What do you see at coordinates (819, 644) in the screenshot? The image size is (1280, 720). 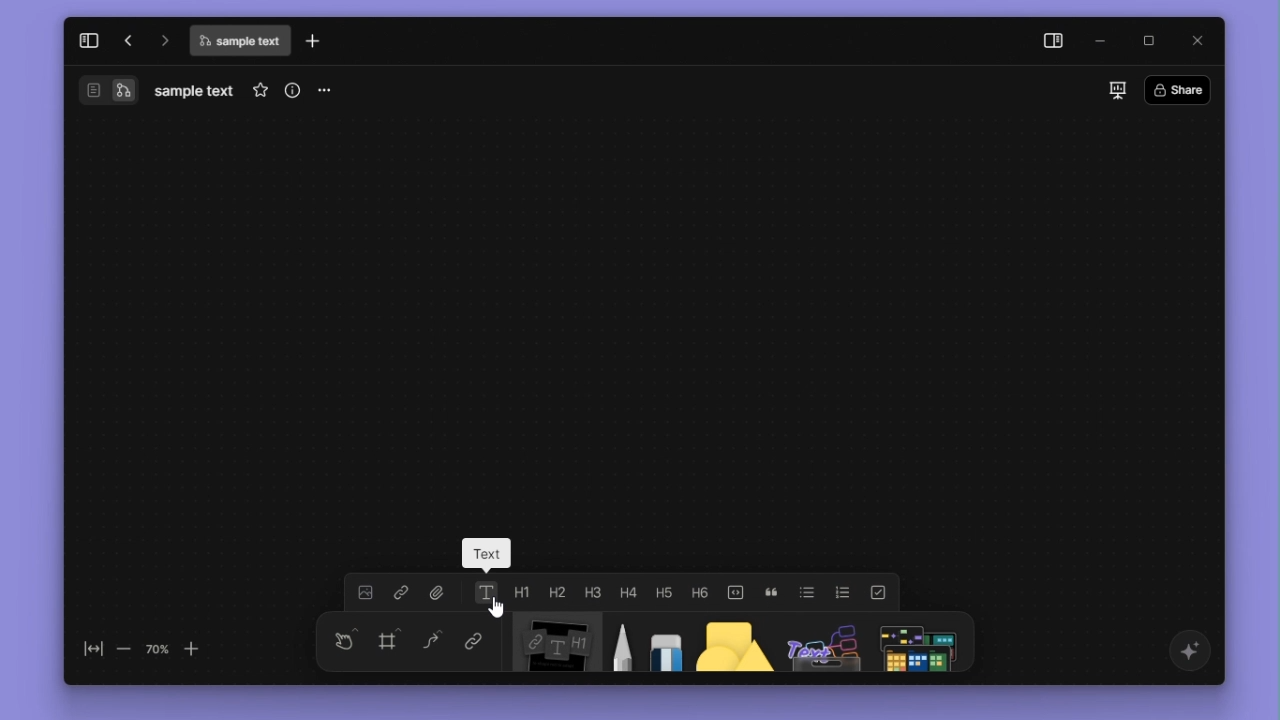 I see `others` at bounding box center [819, 644].